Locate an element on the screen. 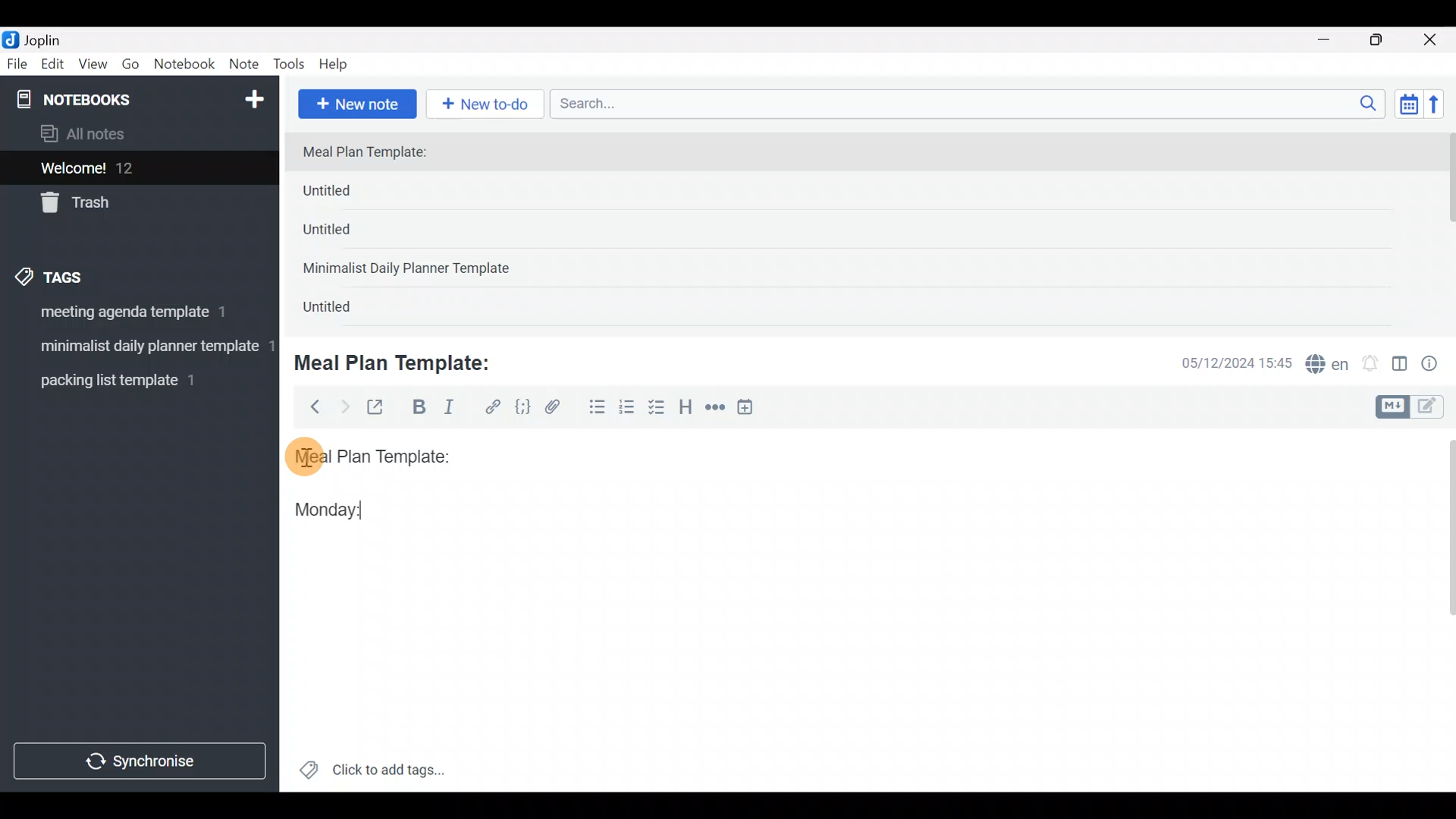  All notes is located at coordinates (136, 135).